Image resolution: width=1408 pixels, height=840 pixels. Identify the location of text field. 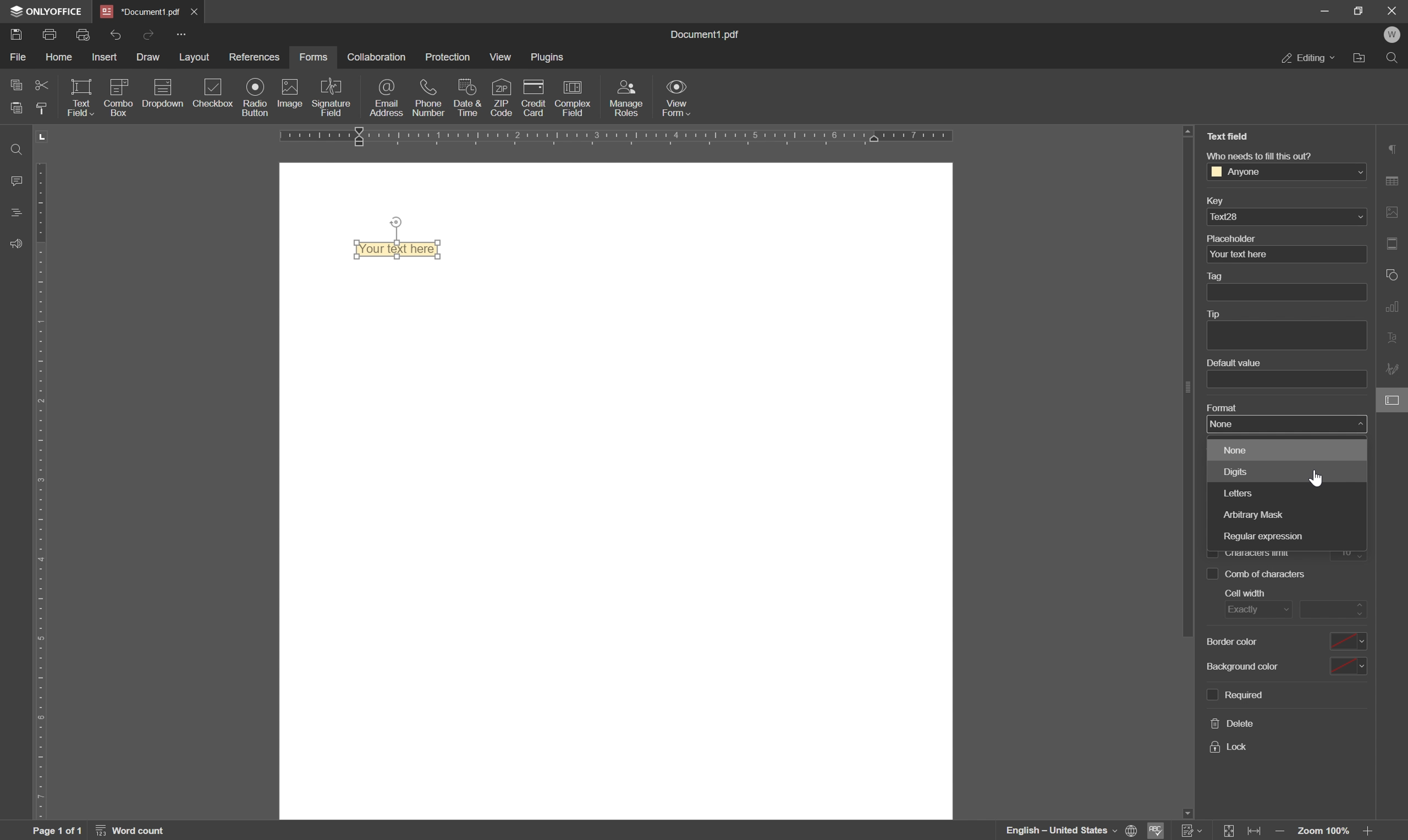
(81, 98).